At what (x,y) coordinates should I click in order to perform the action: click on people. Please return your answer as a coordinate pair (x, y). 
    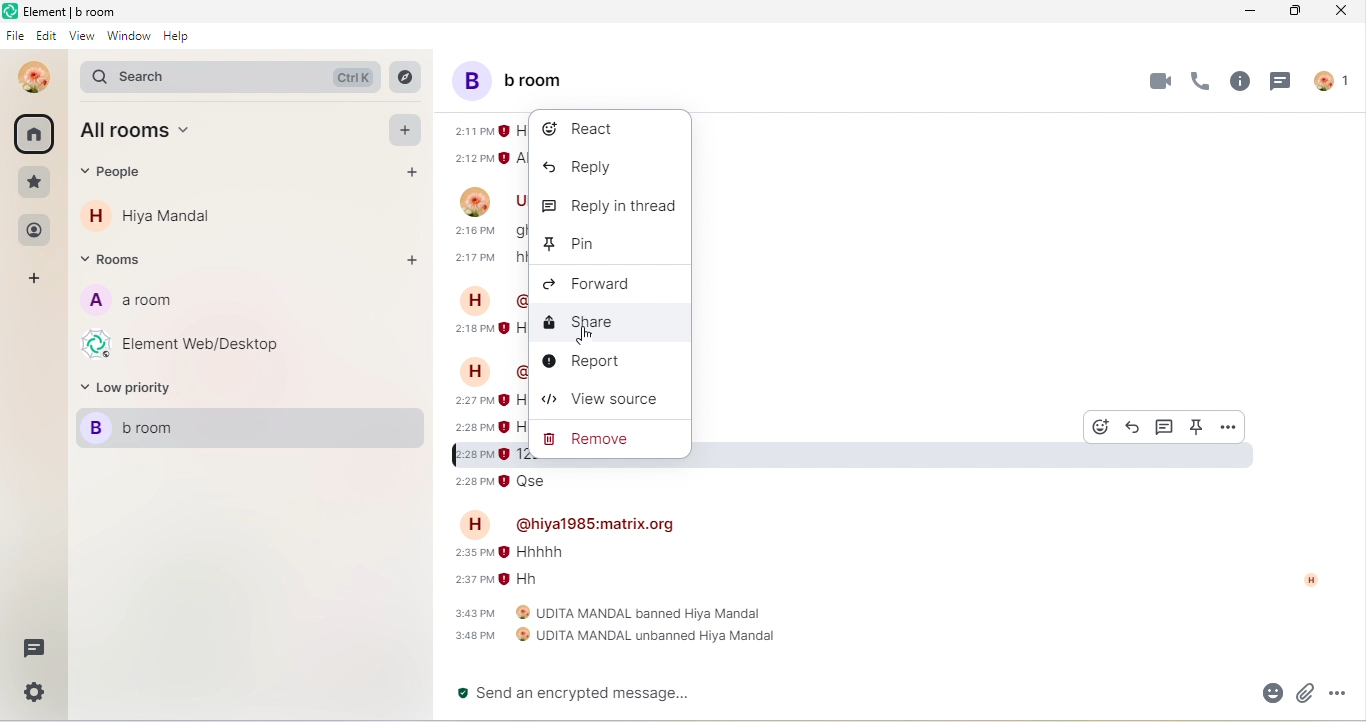
    Looking at the image, I should click on (1335, 79).